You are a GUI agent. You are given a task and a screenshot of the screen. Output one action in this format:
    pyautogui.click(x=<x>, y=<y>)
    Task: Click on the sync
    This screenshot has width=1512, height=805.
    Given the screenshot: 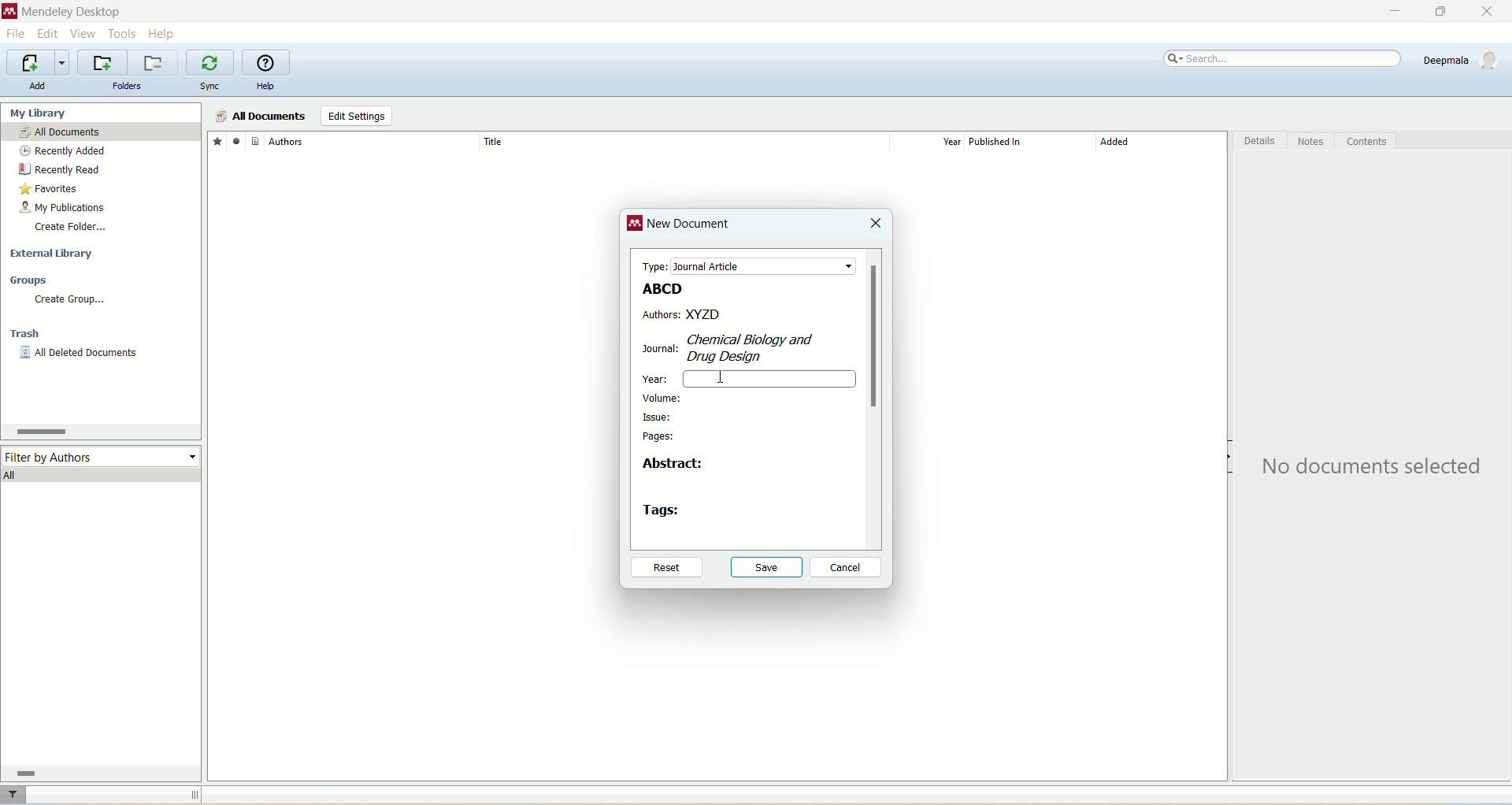 What is the action you would take?
    pyautogui.click(x=212, y=87)
    